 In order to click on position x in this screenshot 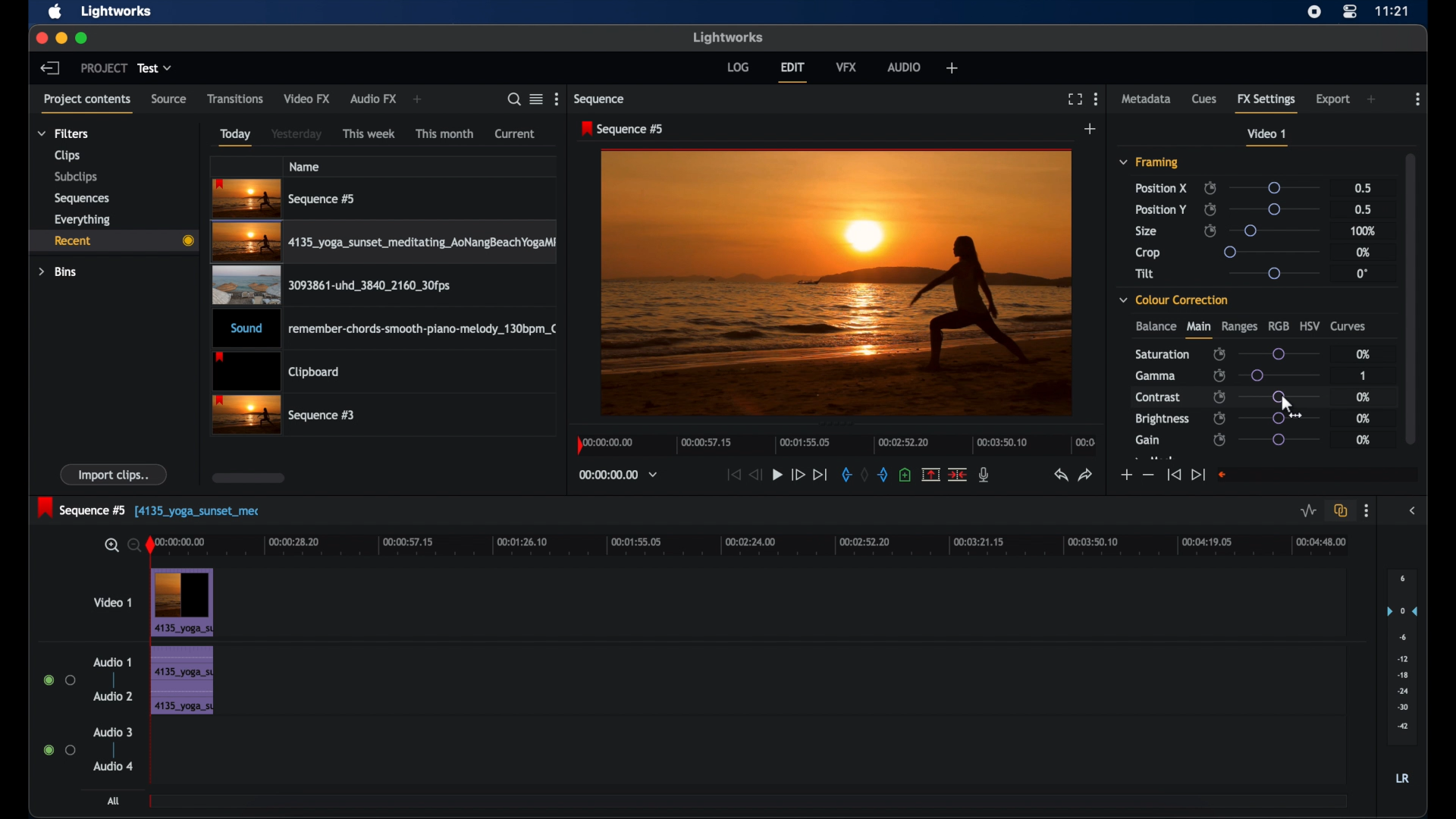, I will do `click(1161, 188)`.